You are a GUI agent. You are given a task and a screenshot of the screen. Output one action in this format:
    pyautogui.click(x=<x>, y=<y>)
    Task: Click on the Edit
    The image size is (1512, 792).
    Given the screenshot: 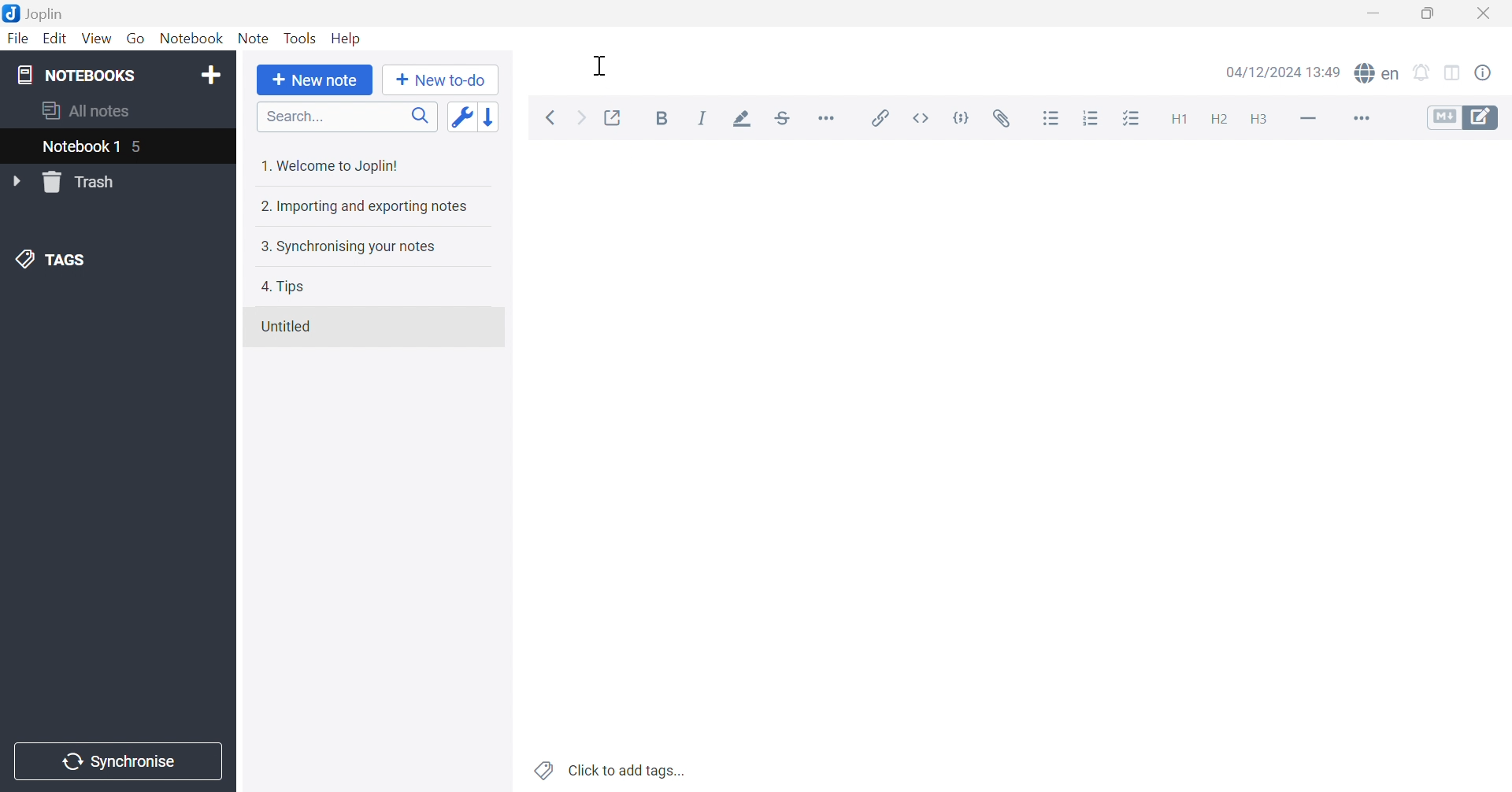 What is the action you would take?
    pyautogui.click(x=56, y=39)
    